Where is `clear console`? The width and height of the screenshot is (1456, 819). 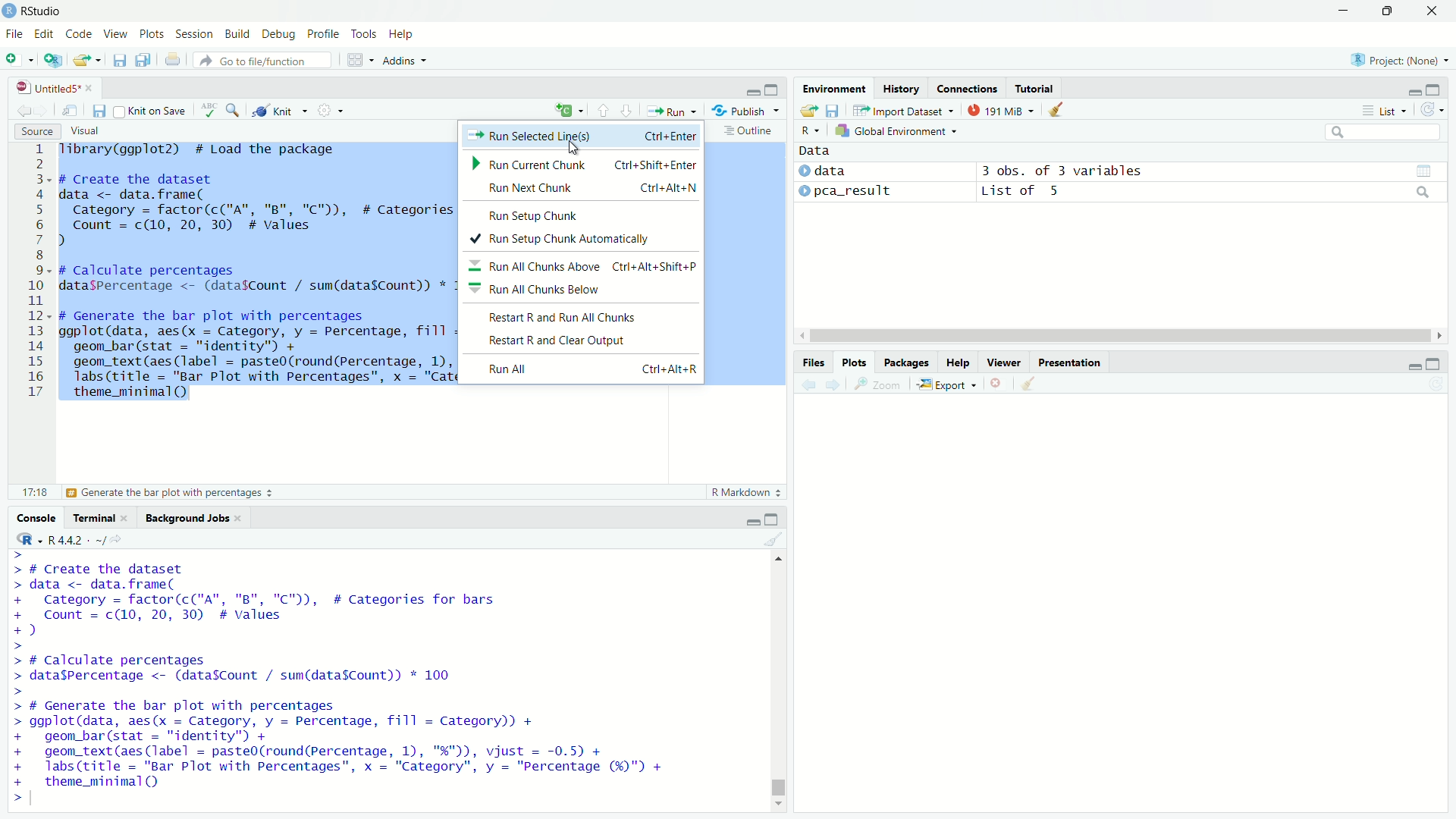 clear console is located at coordinates (776, 540).